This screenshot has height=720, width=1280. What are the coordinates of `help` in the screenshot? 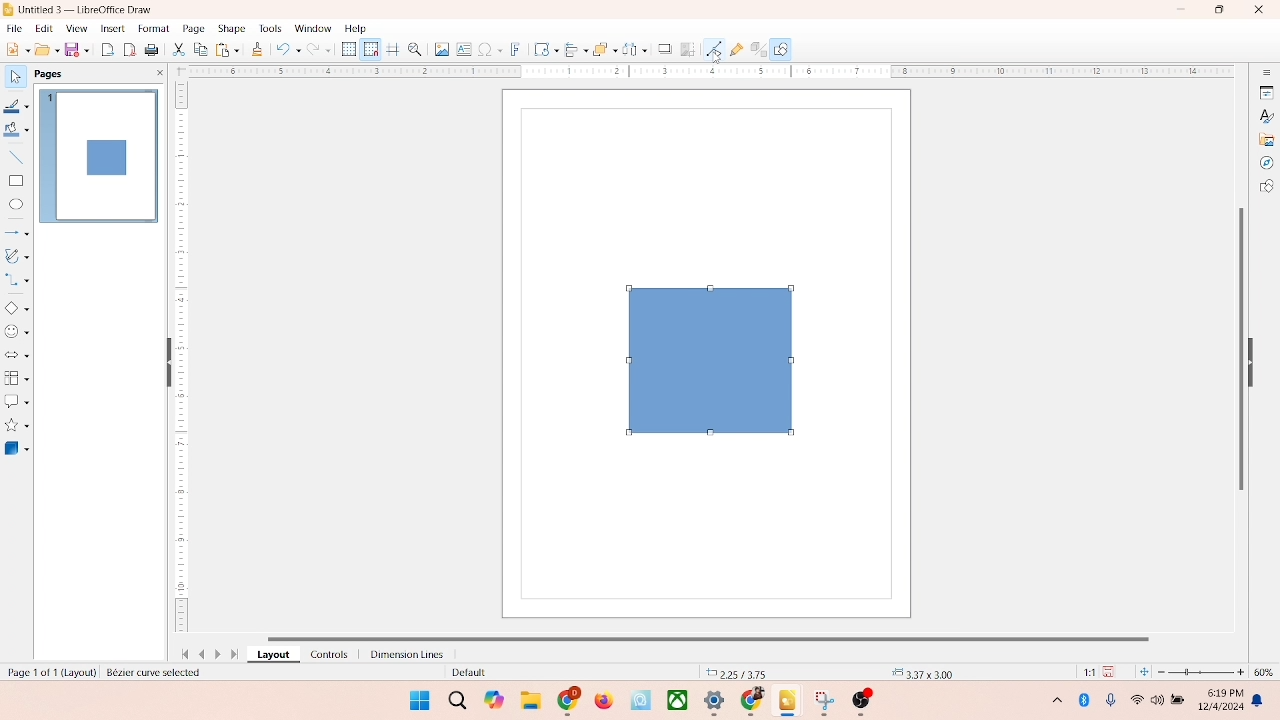 It's located at (356, 28).